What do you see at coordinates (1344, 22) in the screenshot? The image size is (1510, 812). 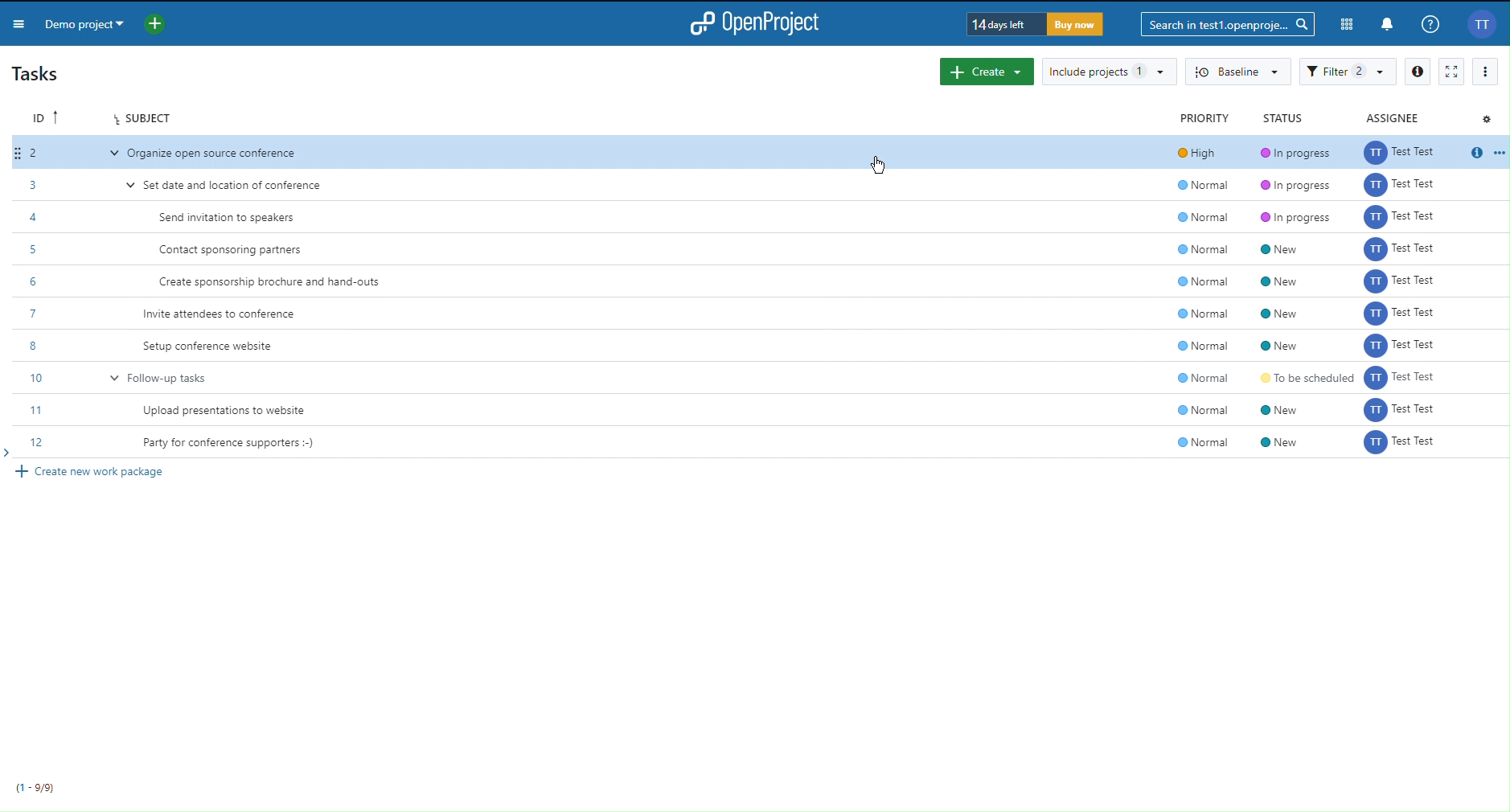 I see `Modules` at bounding box center [1344, 22].